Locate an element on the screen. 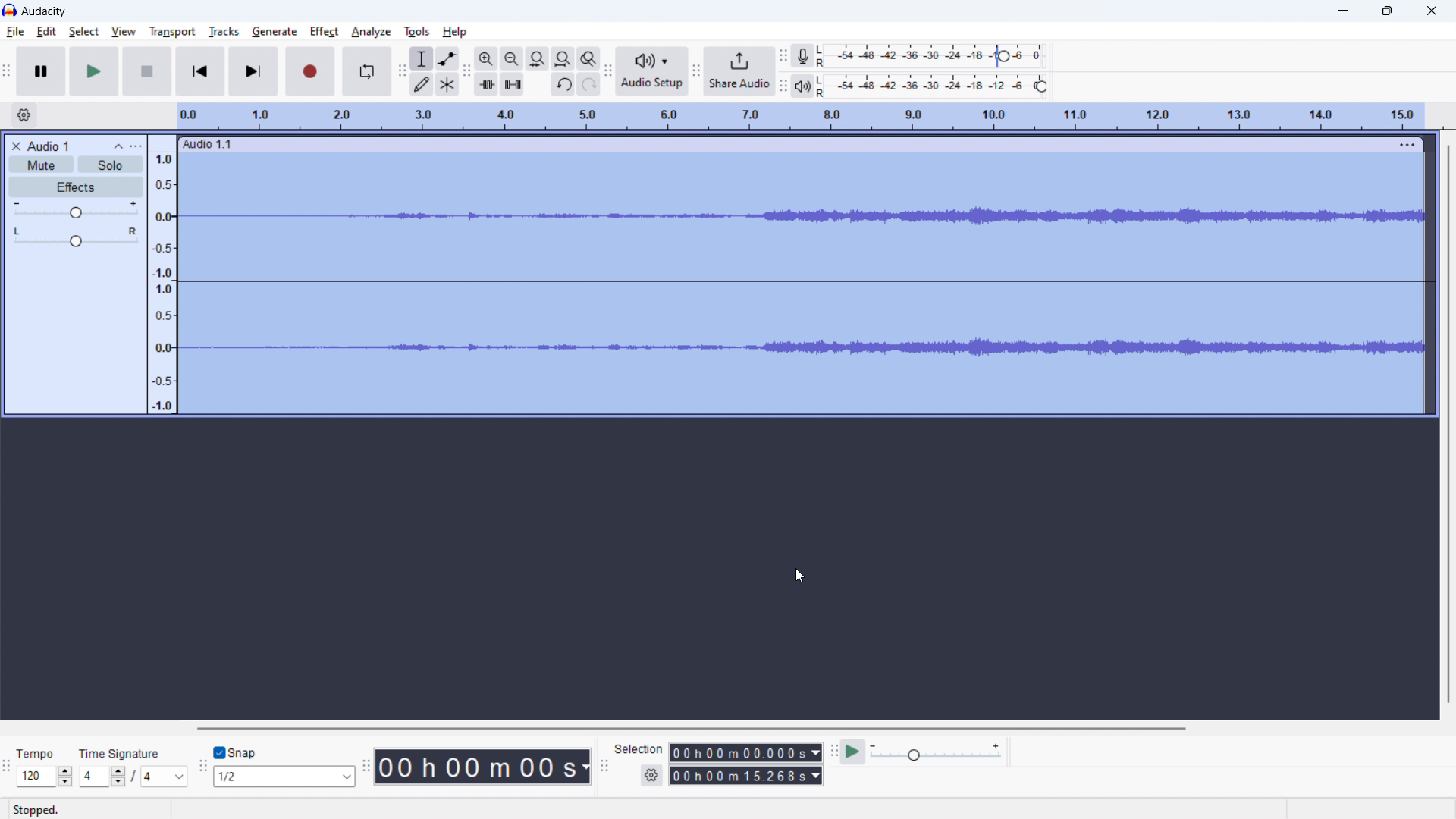  hold to move is located at coordinates (784, 143).